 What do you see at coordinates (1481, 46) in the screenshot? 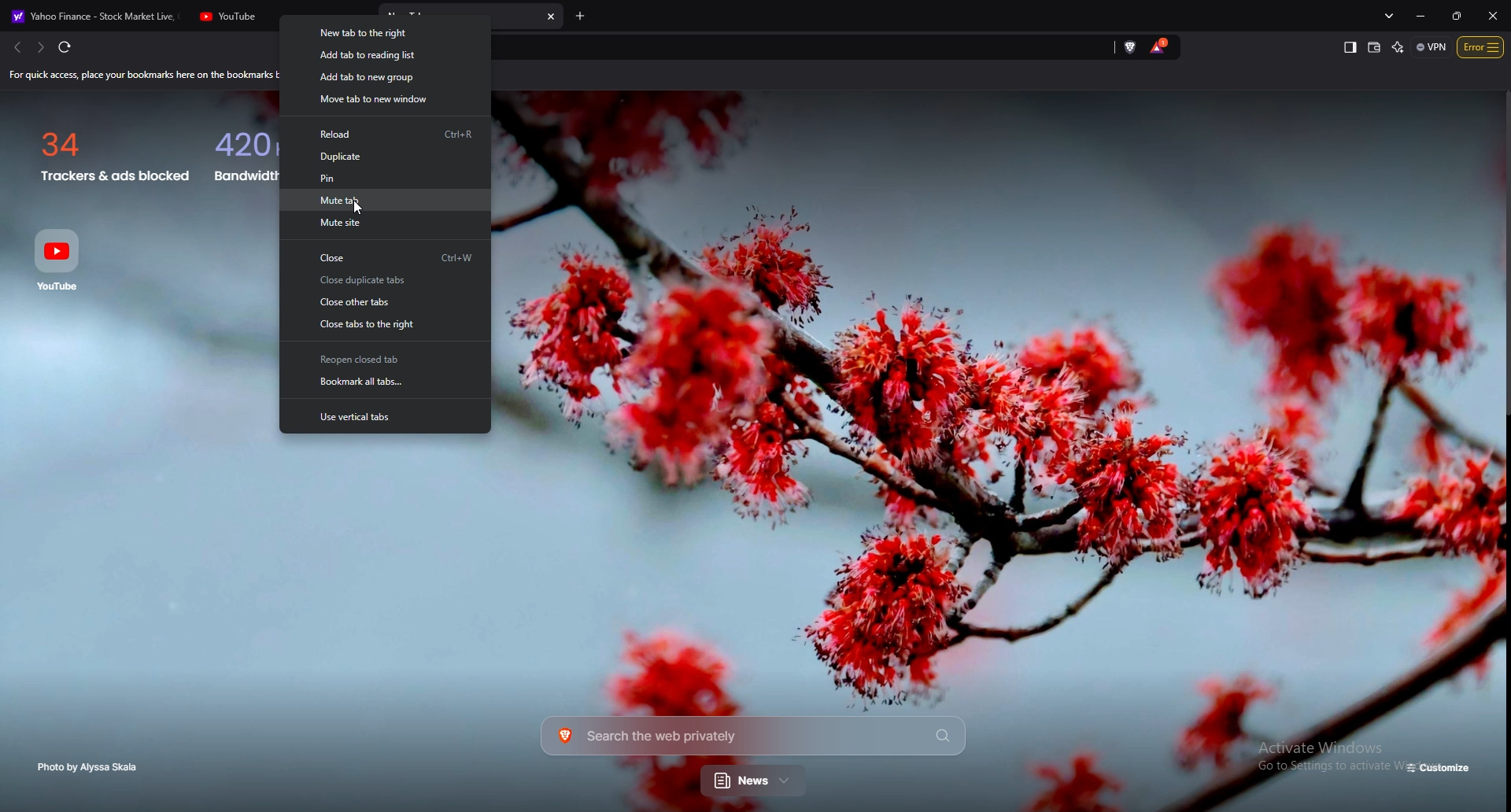
I see `options` at bounding box center [1481, 46].